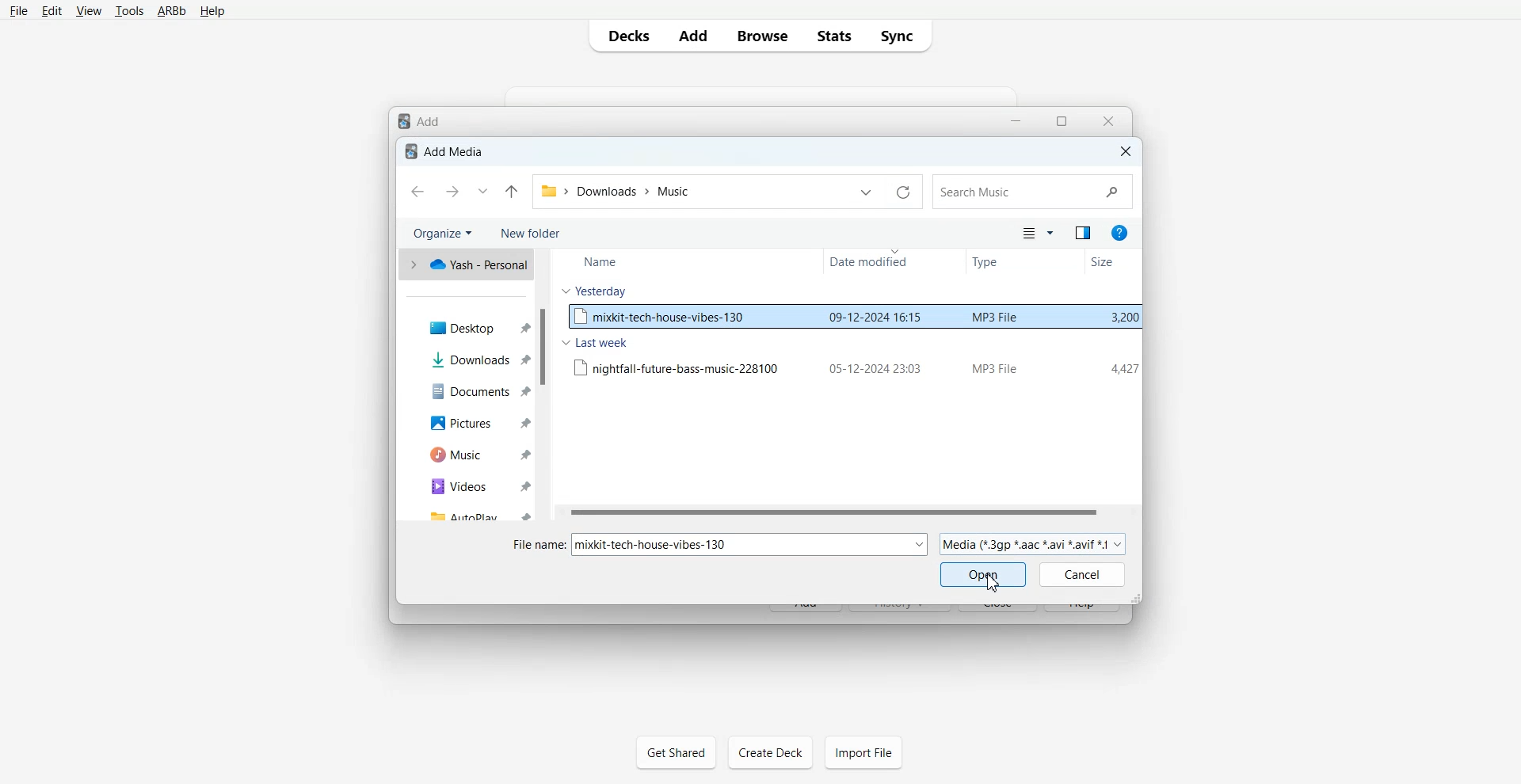  What do you see at coordinates (51, 11) in the screenshot?
I see `Edit` at bounding box center [51, 11].